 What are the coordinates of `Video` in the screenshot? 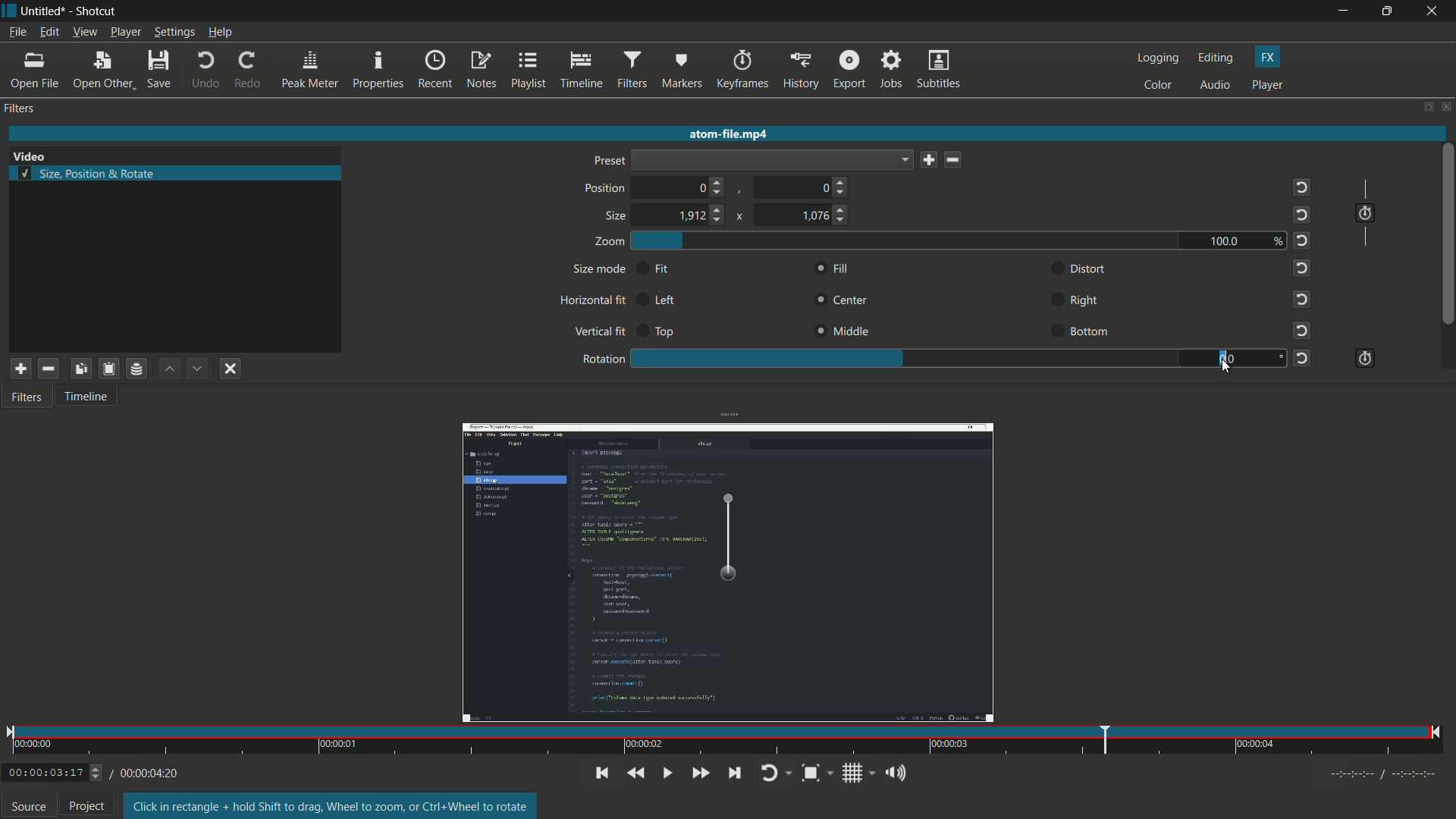 It's located at (36, 152).